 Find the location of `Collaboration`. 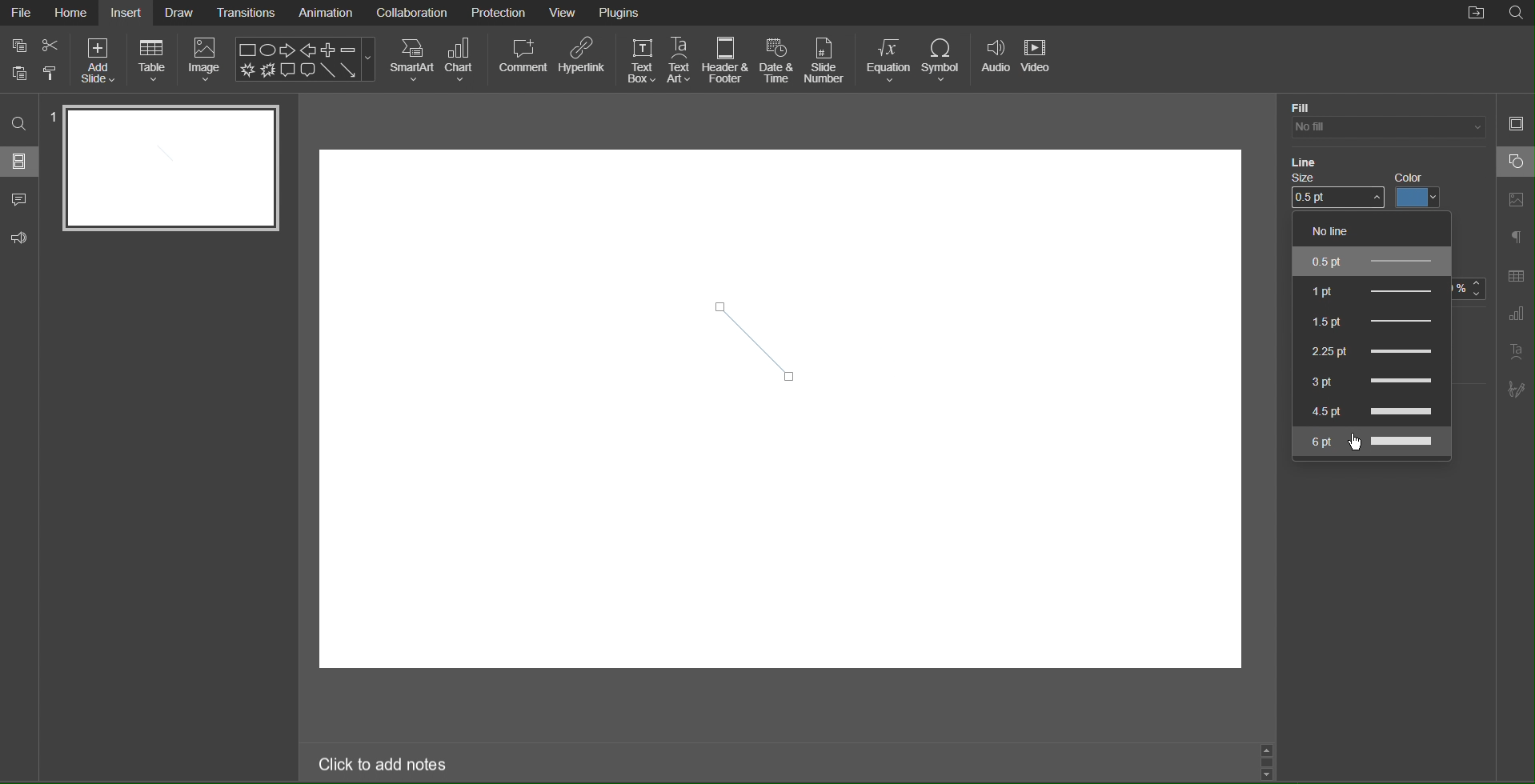

Collaboration is located at coordinates (410, 13).